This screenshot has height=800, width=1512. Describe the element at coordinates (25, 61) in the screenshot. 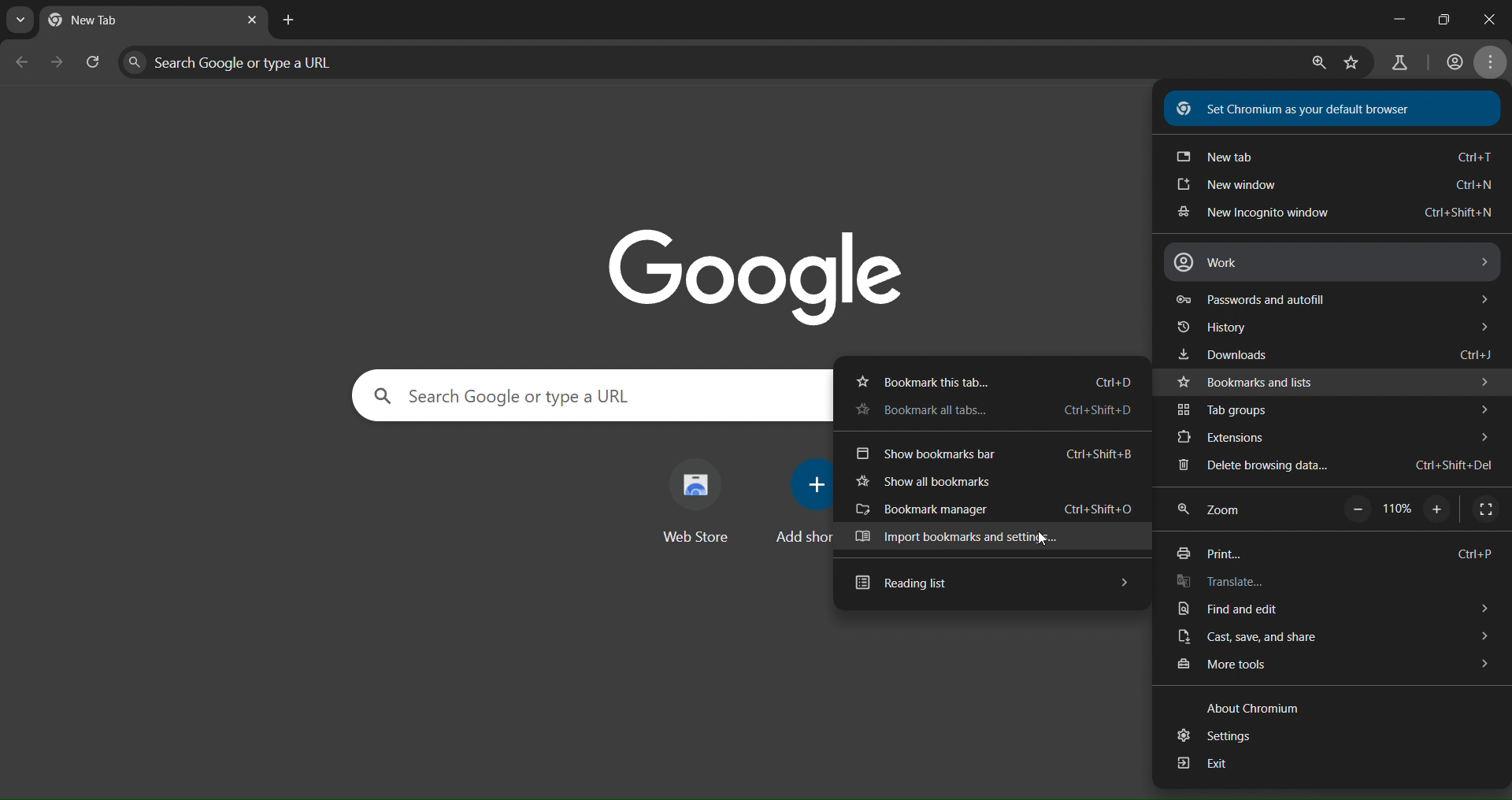

I see `go back page` at that location.